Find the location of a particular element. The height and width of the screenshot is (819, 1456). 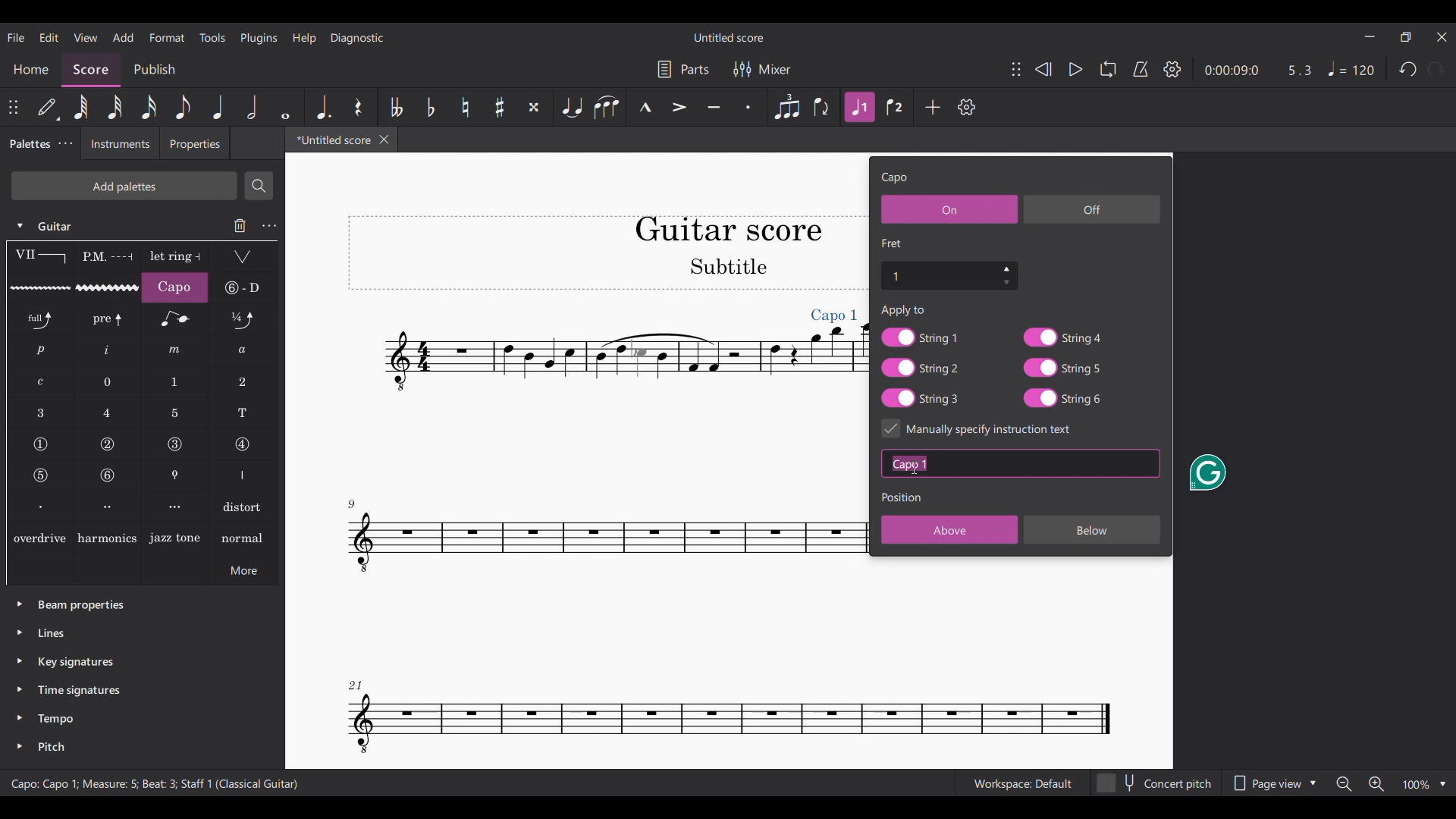

16th note is located at coordinates (149, 107).